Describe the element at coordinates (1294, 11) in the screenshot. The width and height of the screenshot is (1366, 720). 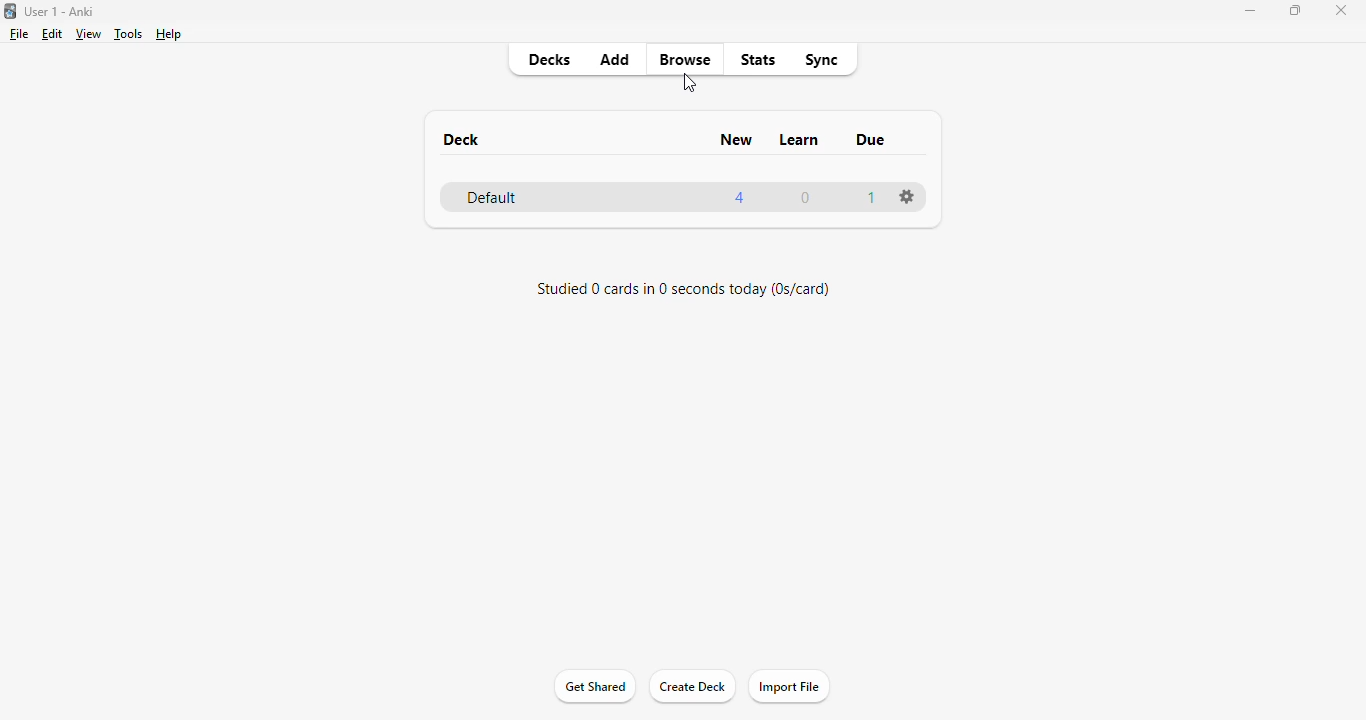
I see `maximize` at that location.